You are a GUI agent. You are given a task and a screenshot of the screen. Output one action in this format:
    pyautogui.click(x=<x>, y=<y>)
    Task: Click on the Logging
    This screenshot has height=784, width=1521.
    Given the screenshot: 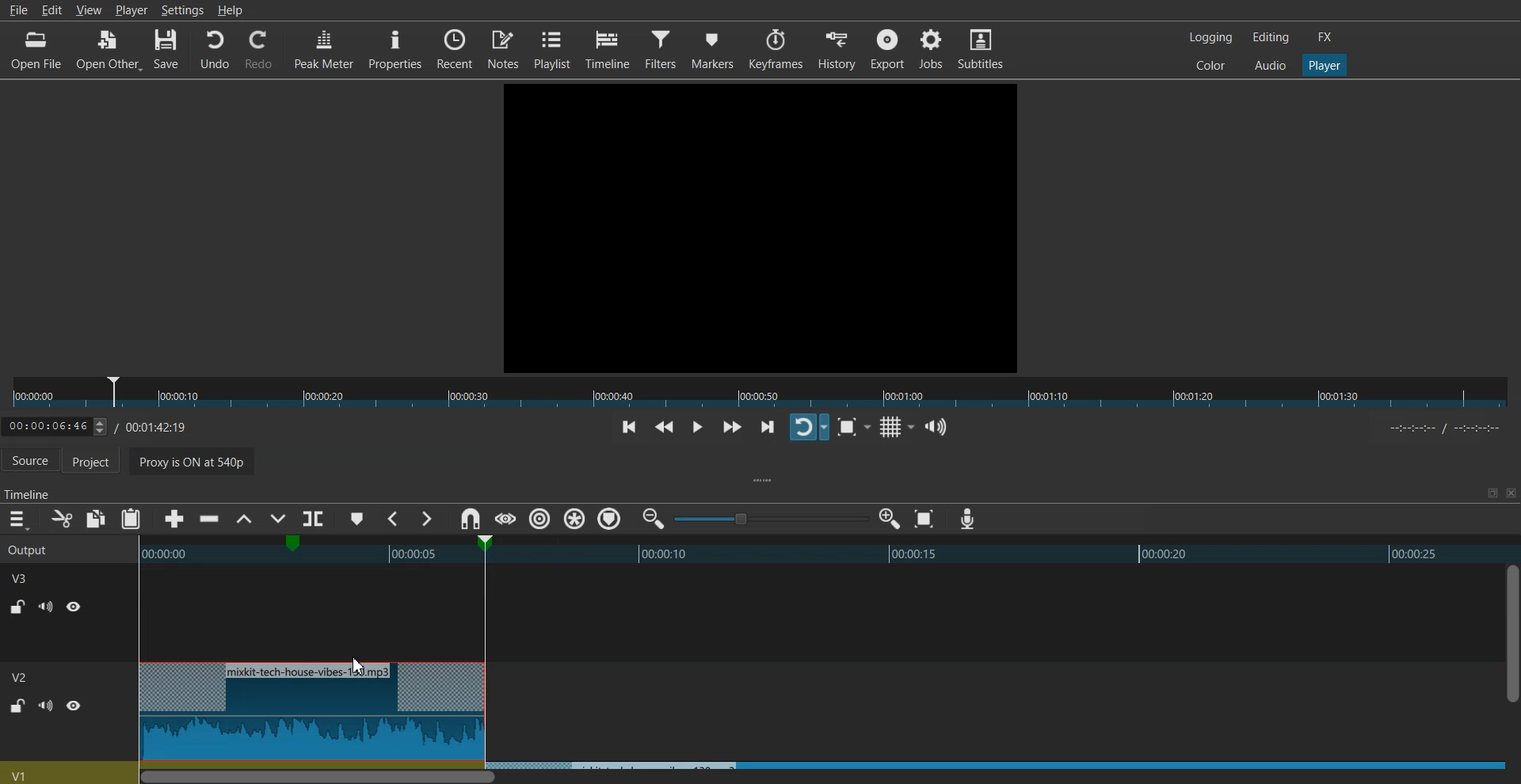 What is the action you would take?
    pyautogui.click(x=1211, y=37)
    